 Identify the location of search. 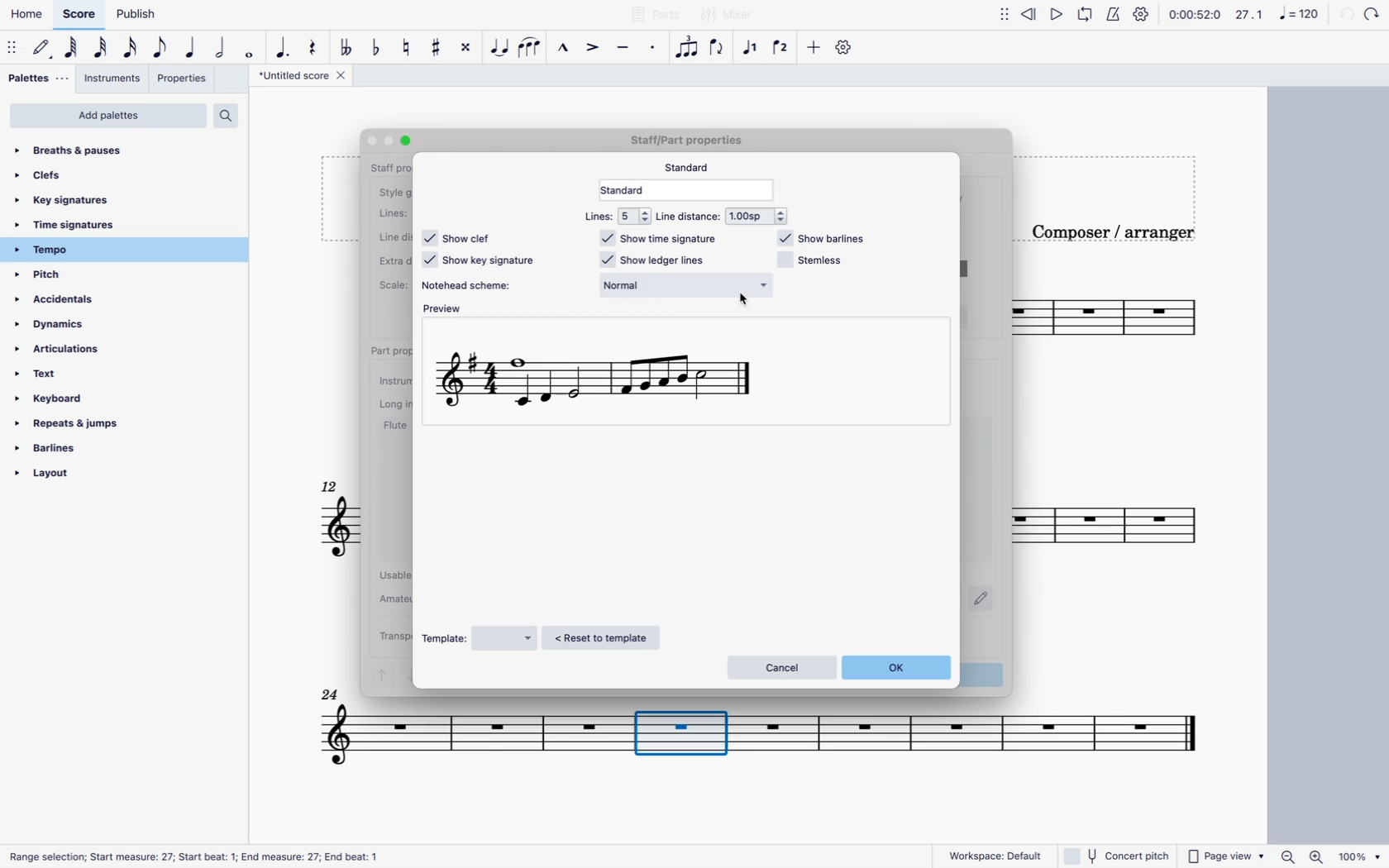
(234, 117).